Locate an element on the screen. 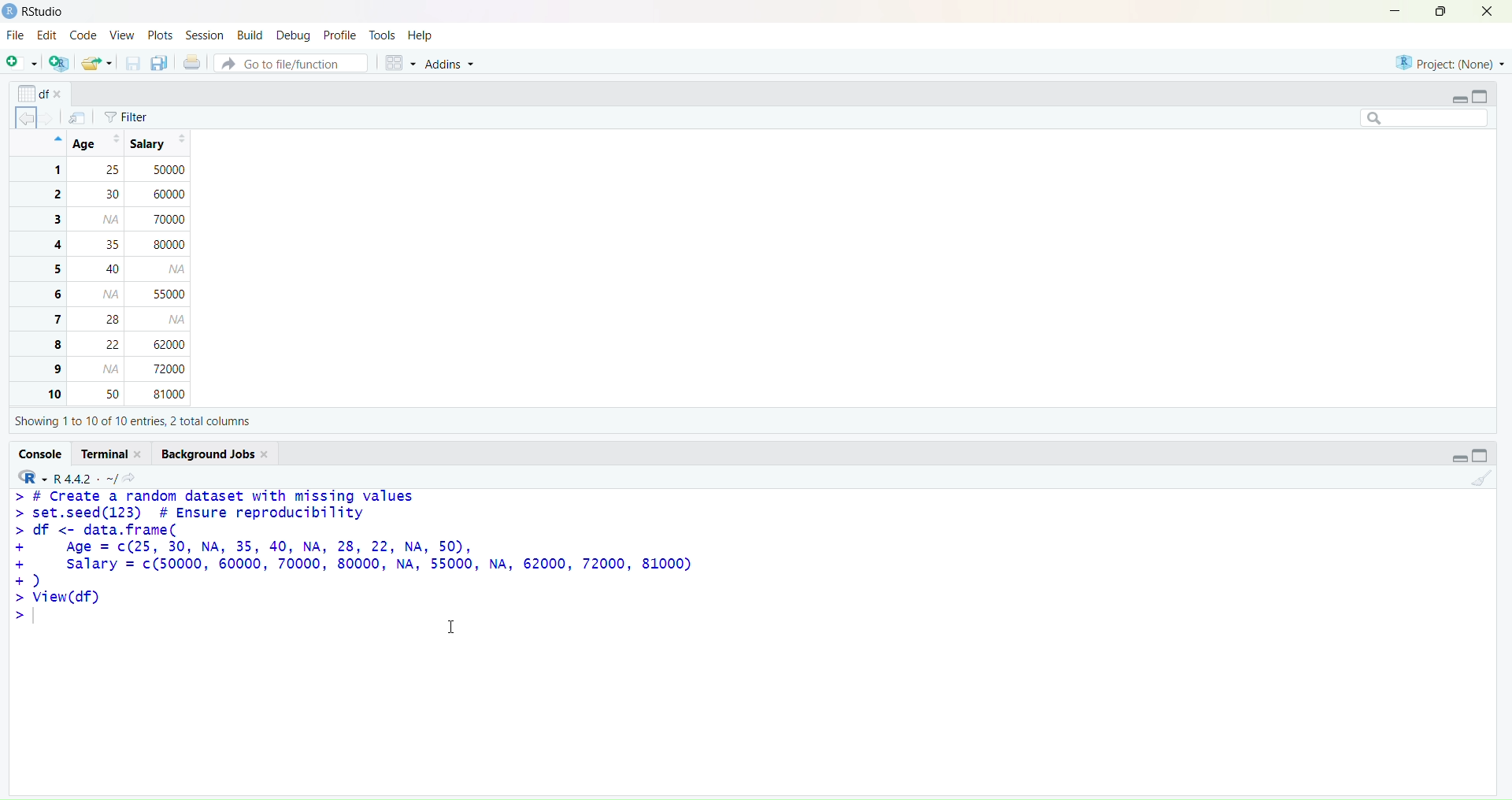 This screenshot has height=800, width=1512. console is located at coordinates (41, 453).